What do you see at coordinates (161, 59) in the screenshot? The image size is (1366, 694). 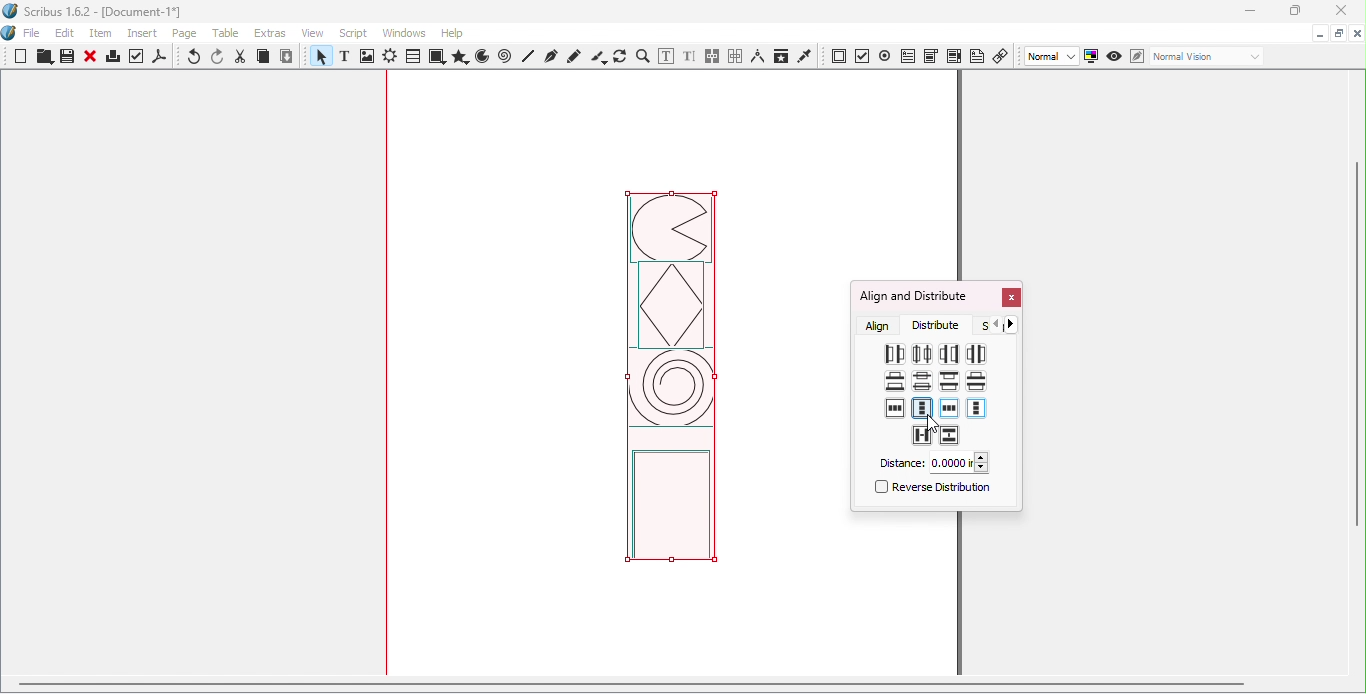 I see `save as PDF` at bounding box center [161, 59].